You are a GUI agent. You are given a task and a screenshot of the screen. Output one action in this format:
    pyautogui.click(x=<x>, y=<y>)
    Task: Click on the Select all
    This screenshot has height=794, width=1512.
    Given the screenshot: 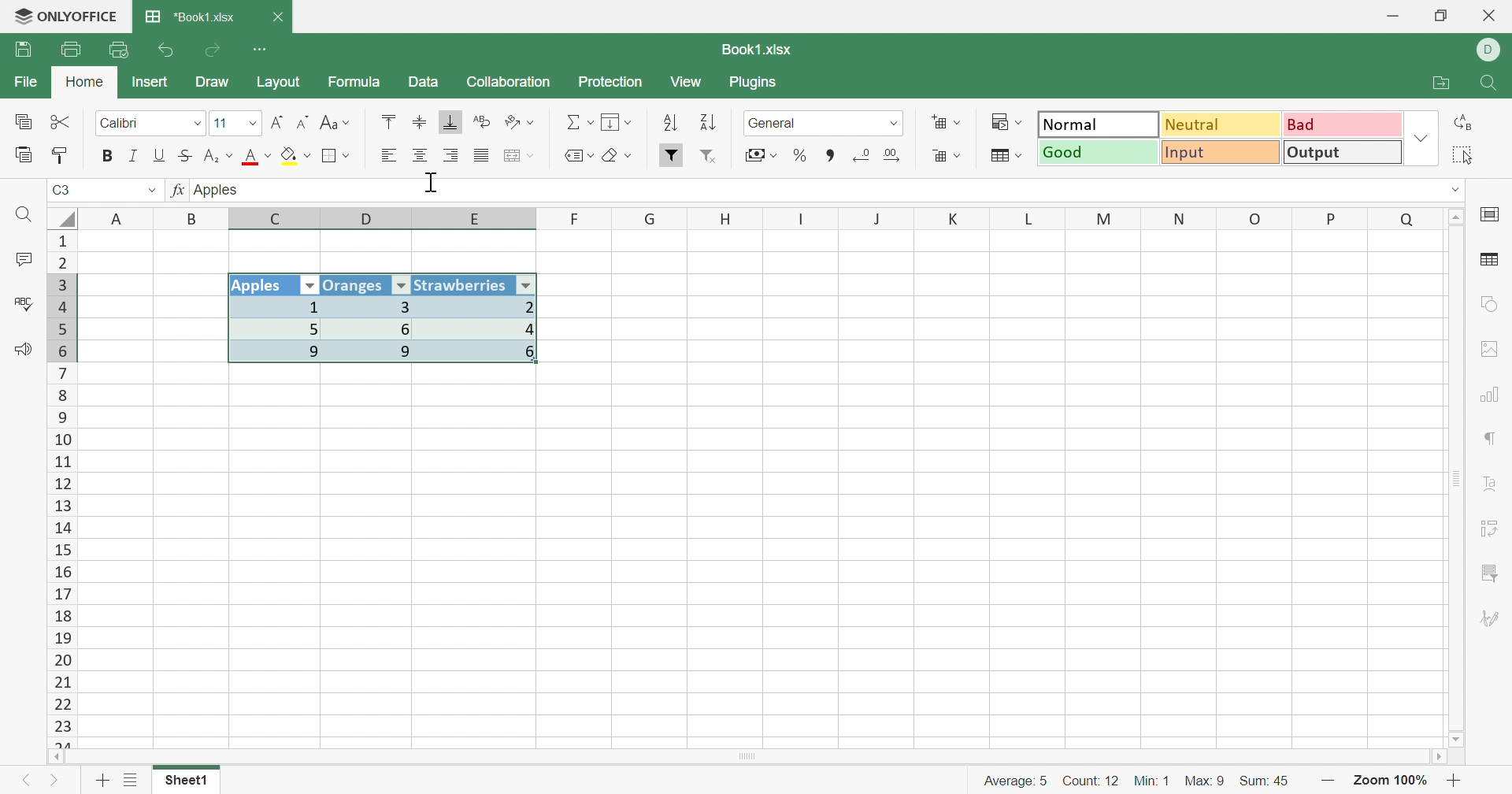 What is the action you would take?
    pyautogui.click(x=62, y=216)
    